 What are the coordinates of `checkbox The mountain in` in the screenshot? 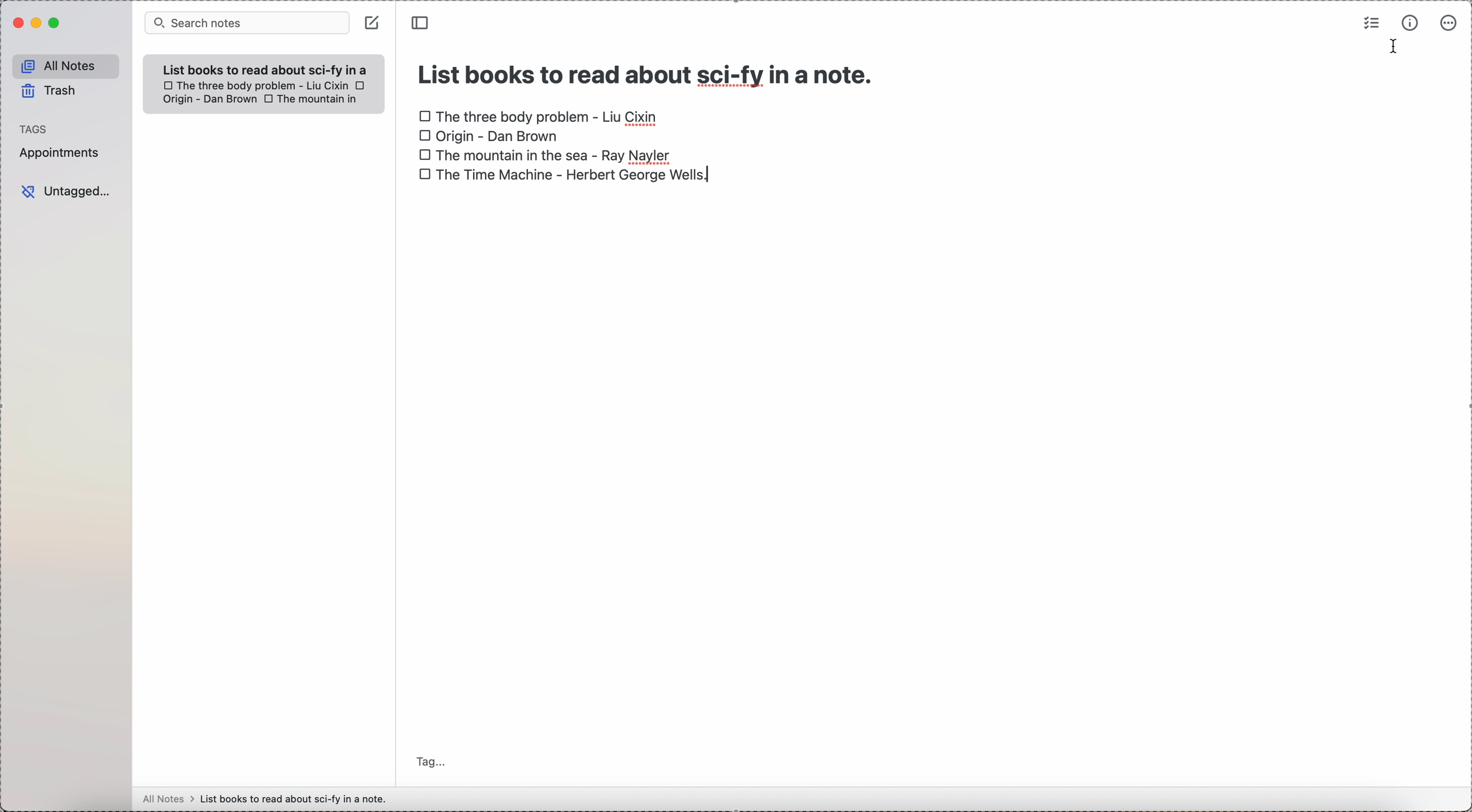 It's located at (312, 100).